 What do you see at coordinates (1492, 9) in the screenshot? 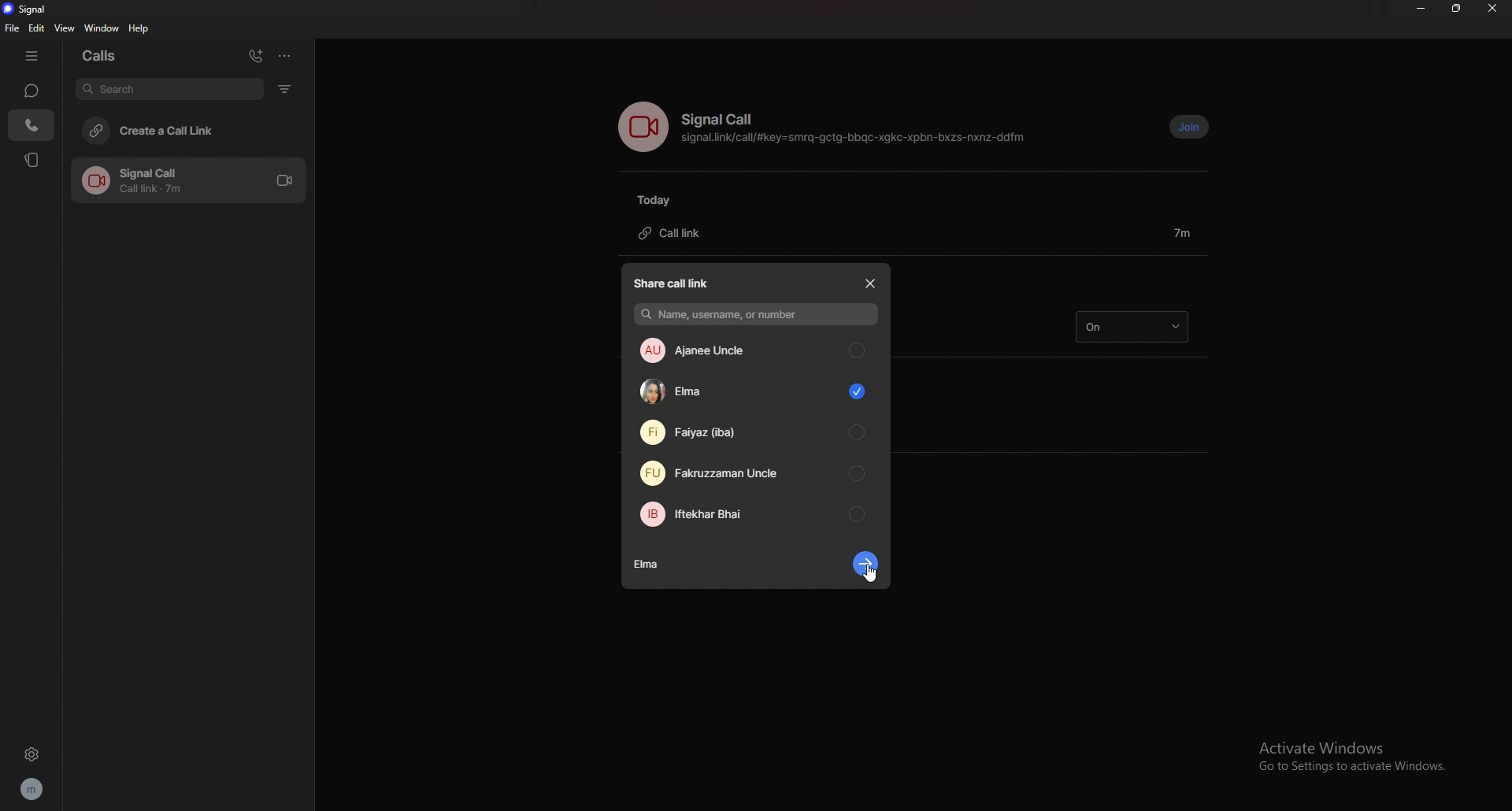
I see `close` at bounding box center [1492, 9].